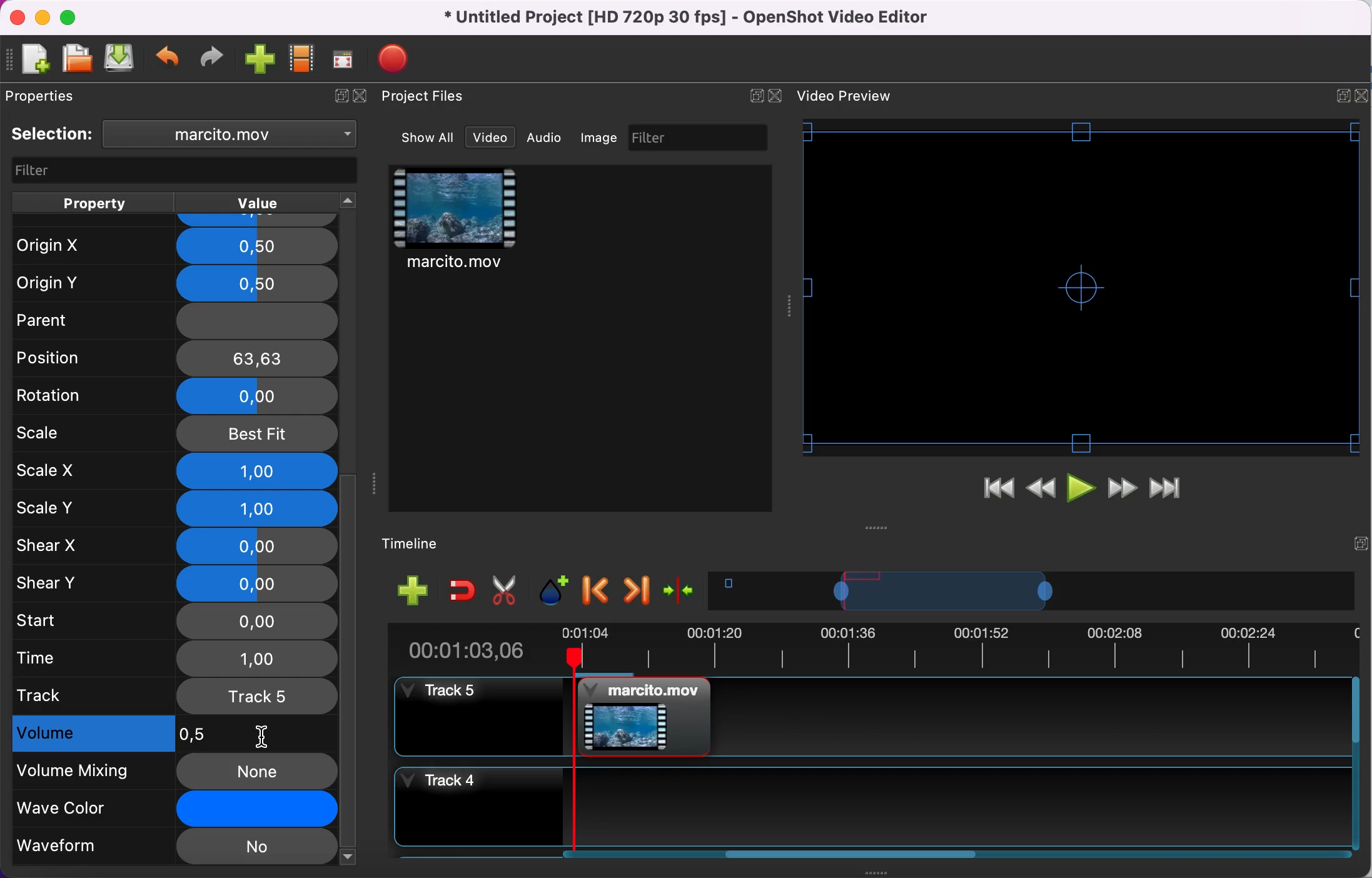  I want to click on new file, so click(30, 61).